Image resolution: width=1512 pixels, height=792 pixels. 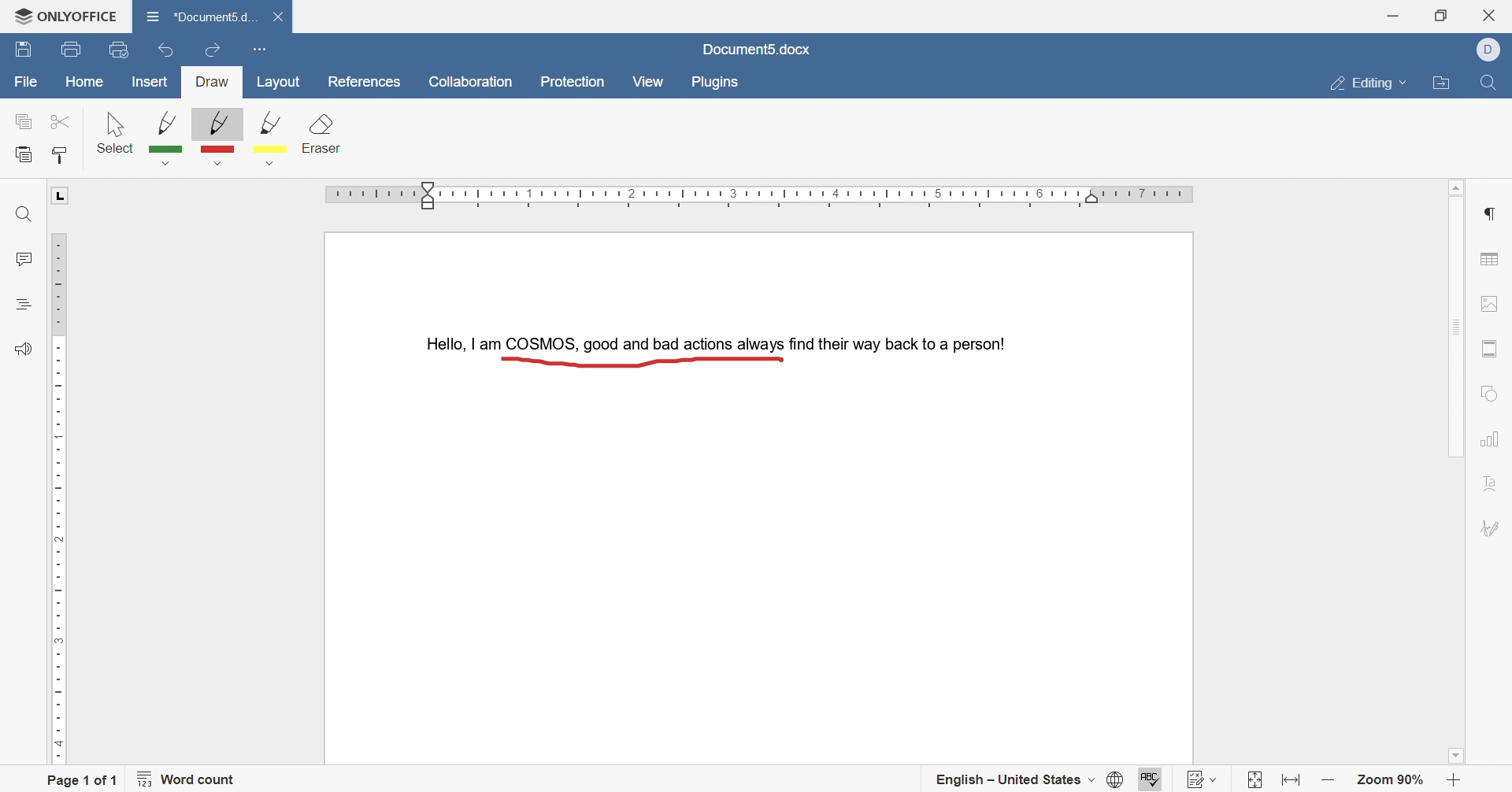 I want to click on scroll bar, so click(x=1455, y=324).